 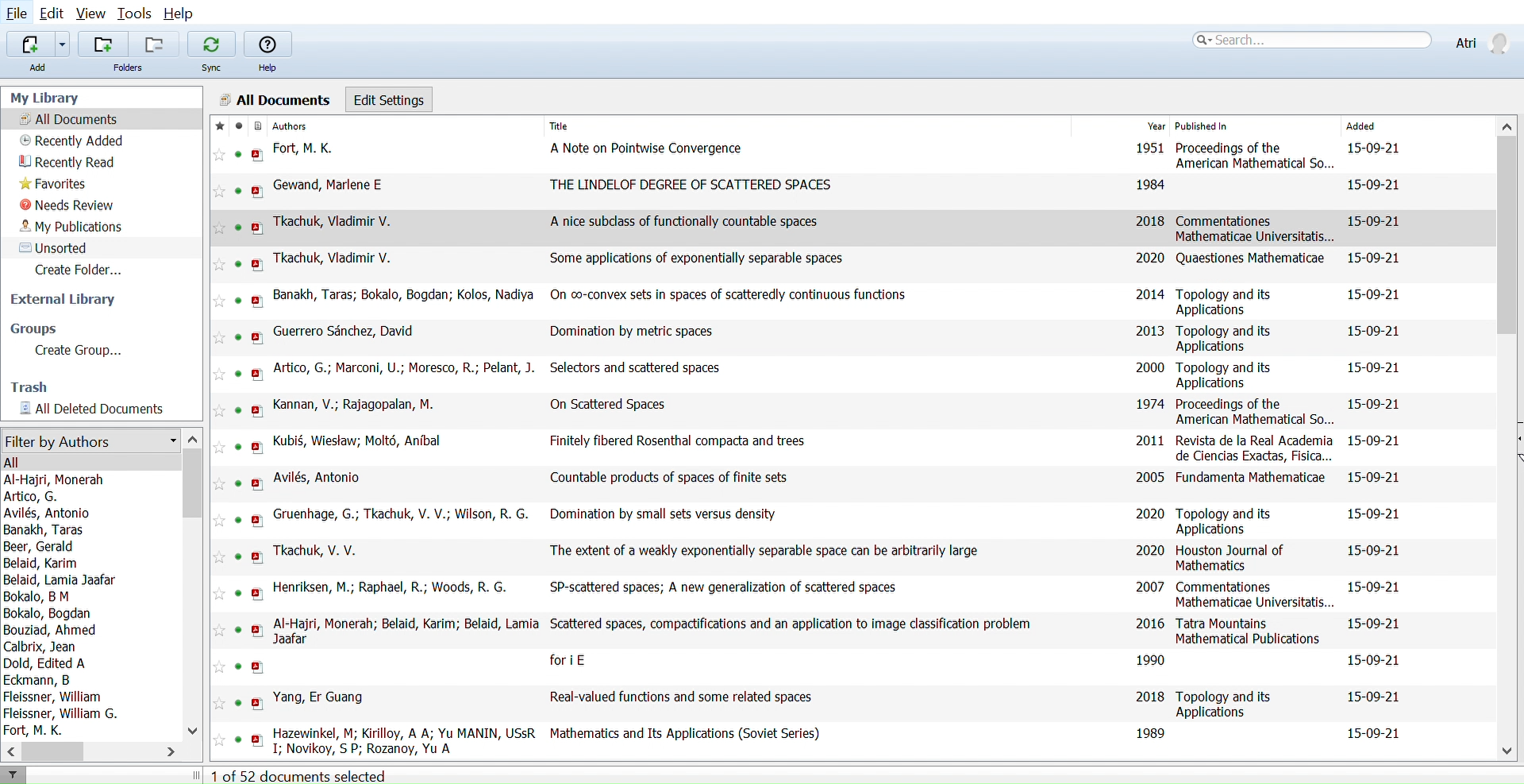 What do you see at coordinates (103, 44) in the screenshot?
I see `Add folders` at bounding box center [103, 44].